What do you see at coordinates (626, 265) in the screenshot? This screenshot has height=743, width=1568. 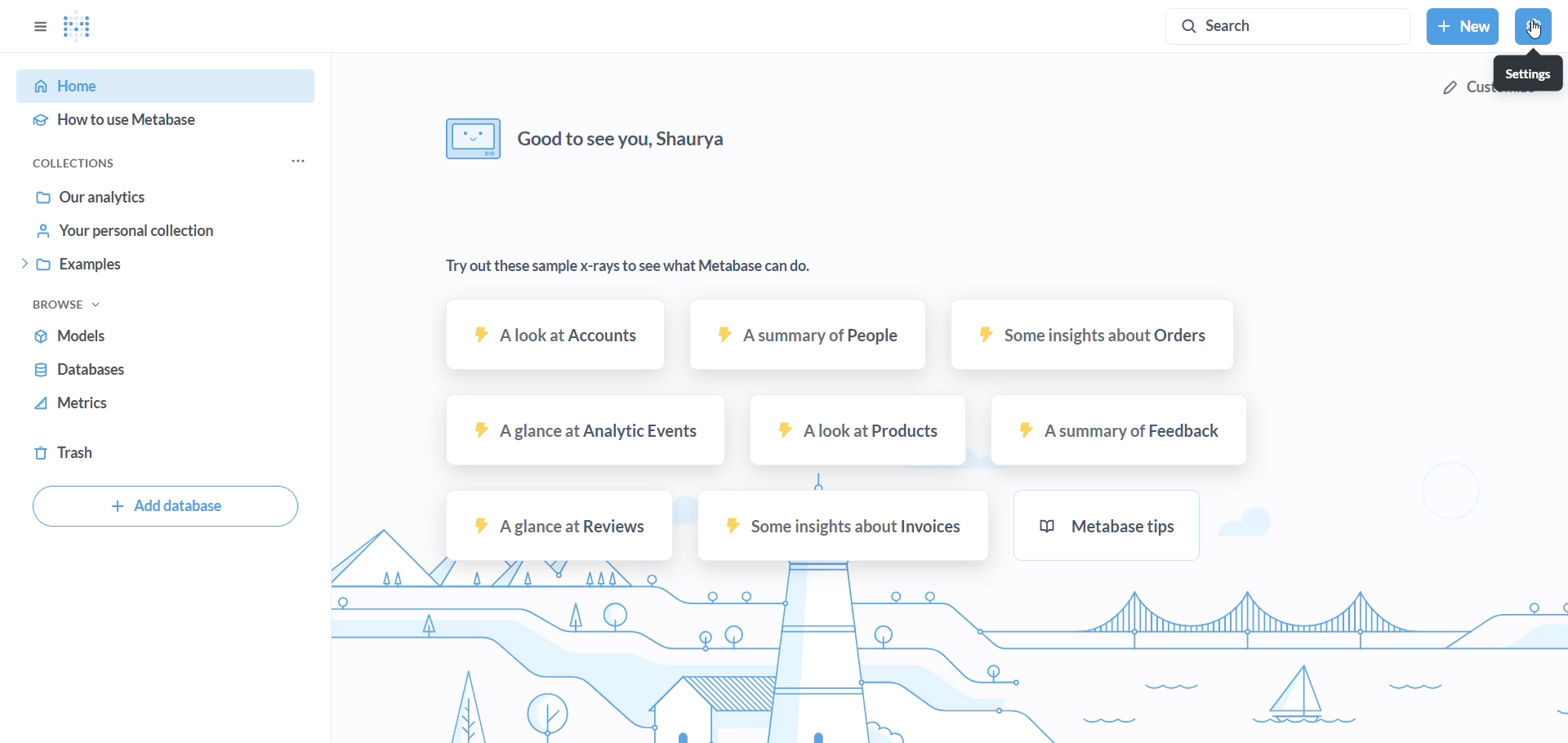 I see `Try out these sample x-rays to see what Metabase can do.` at bounding box center [626, 265].